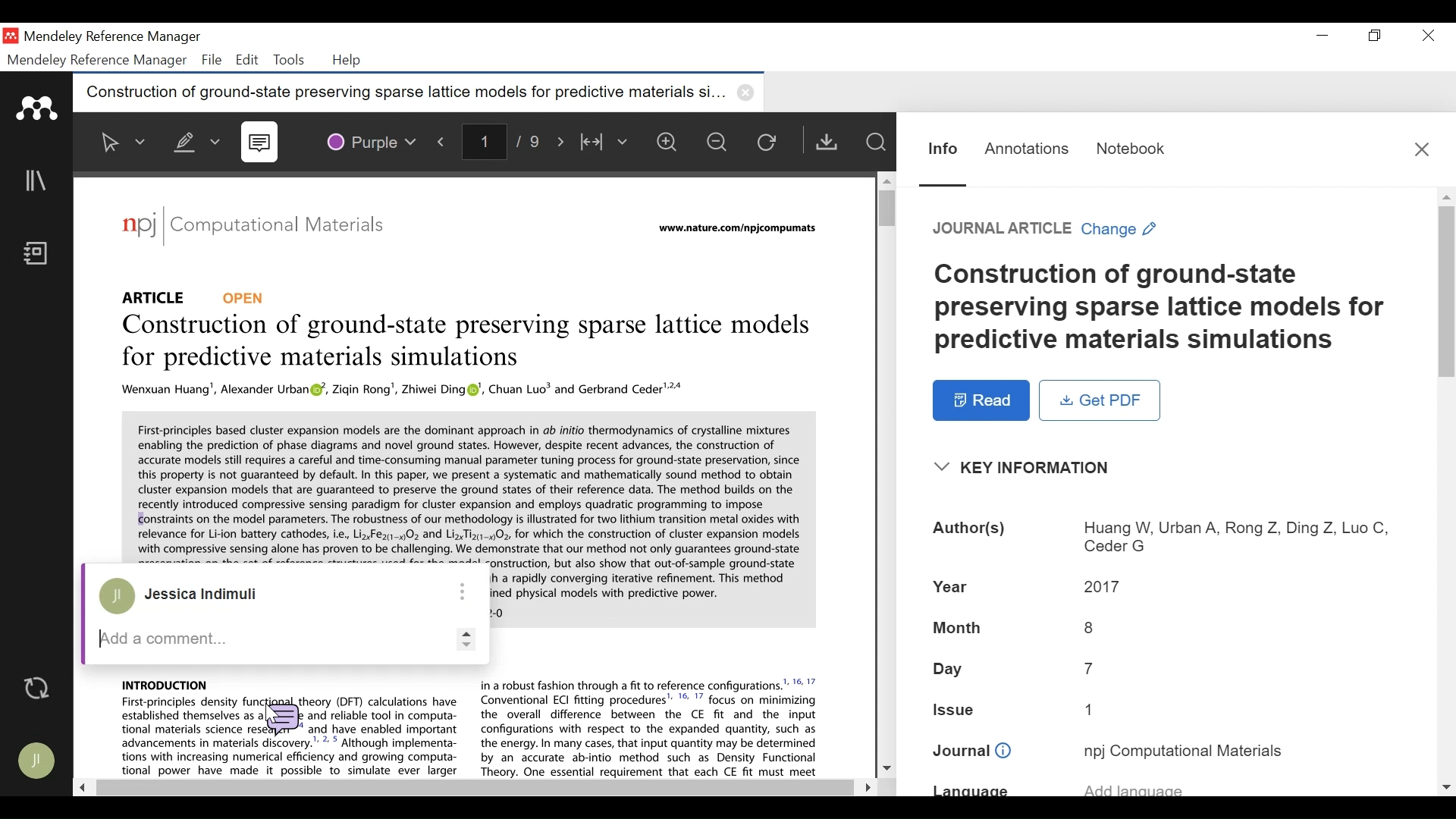 This screenshot has width=1456, height=819. I want to click on minimize, so click(1323, 36).